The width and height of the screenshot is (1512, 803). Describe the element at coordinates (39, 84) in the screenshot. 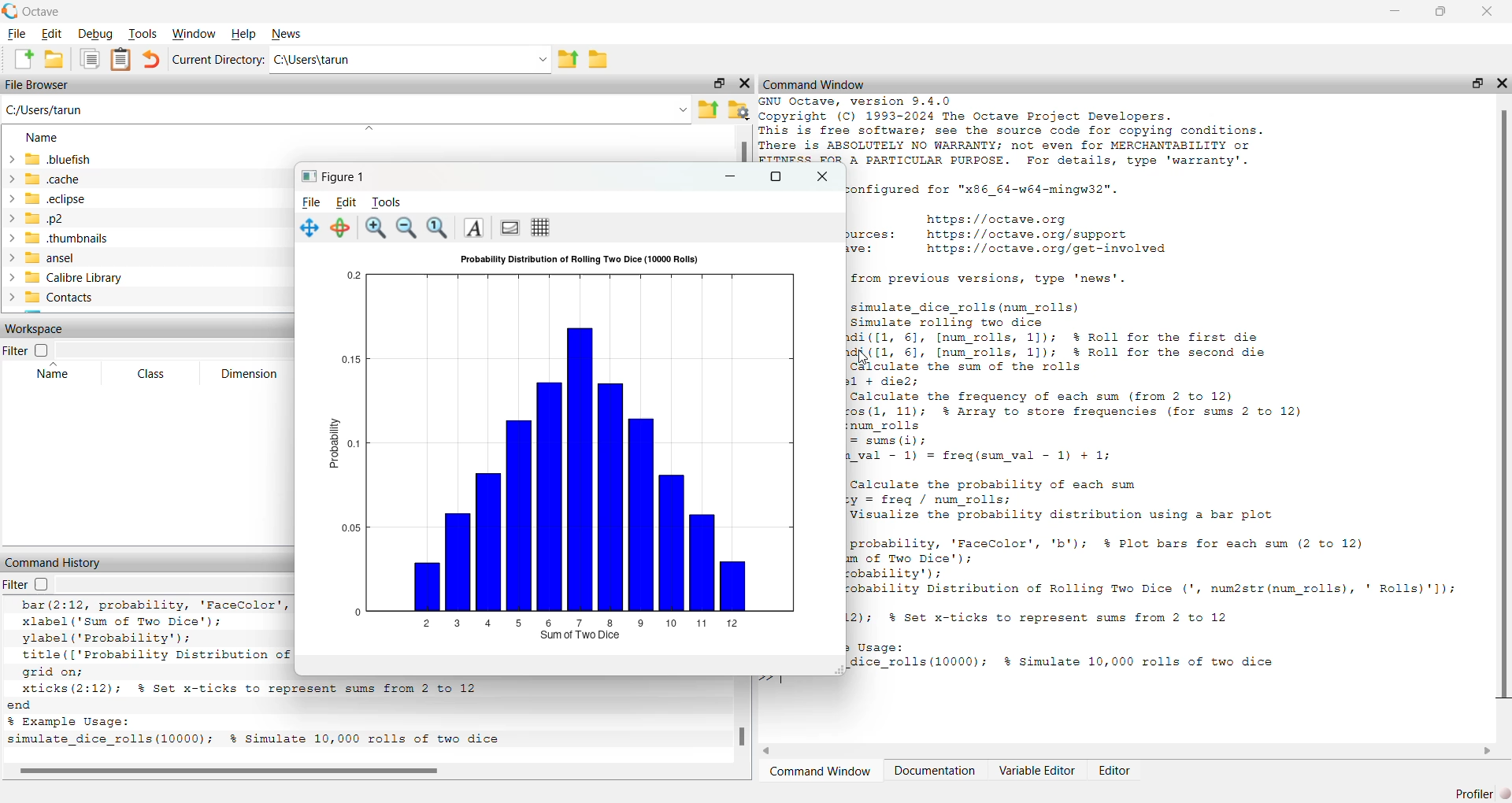

I see `File Browser` at that location.